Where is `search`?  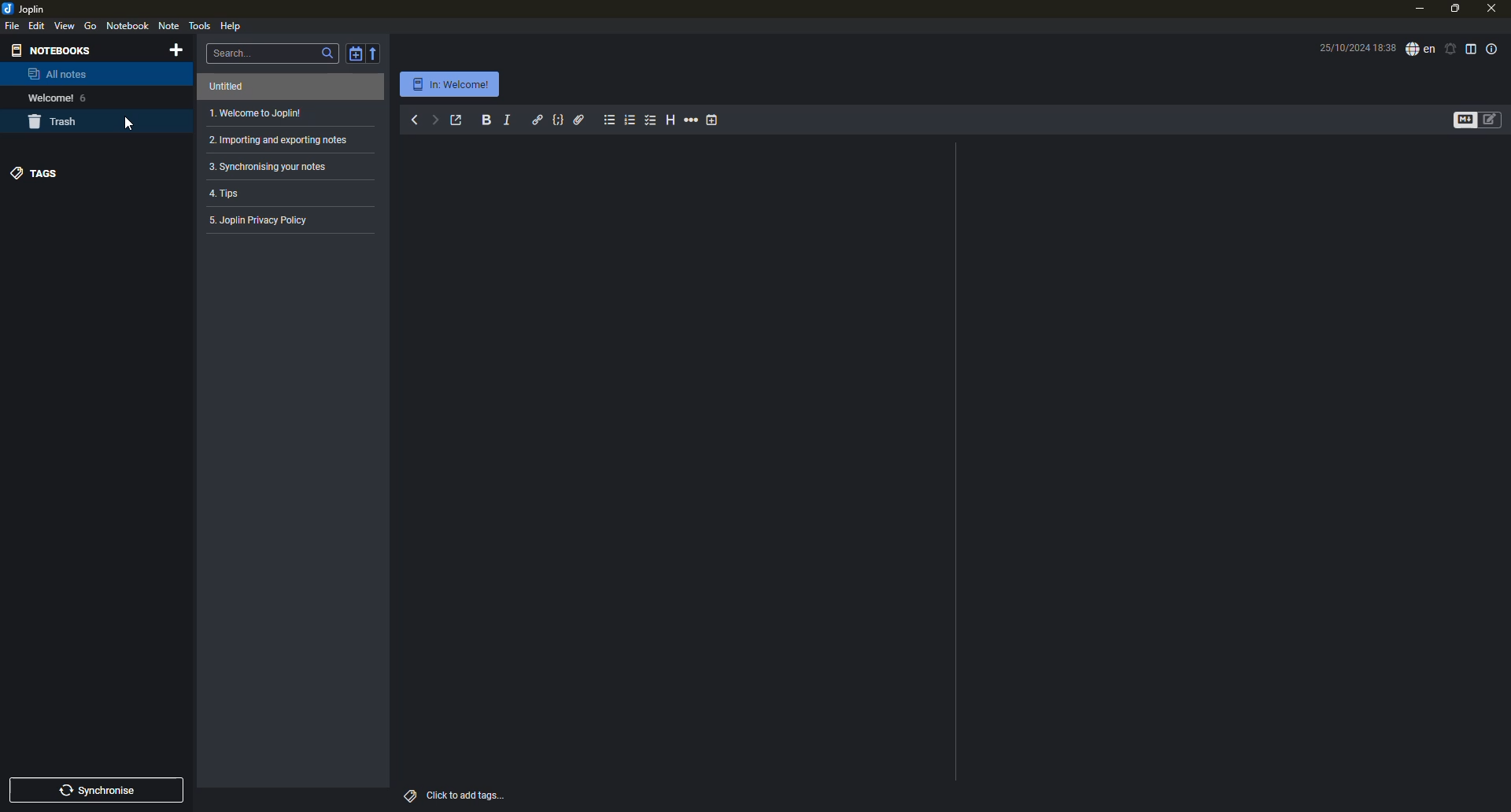
search is located at coordinates (236, 52).